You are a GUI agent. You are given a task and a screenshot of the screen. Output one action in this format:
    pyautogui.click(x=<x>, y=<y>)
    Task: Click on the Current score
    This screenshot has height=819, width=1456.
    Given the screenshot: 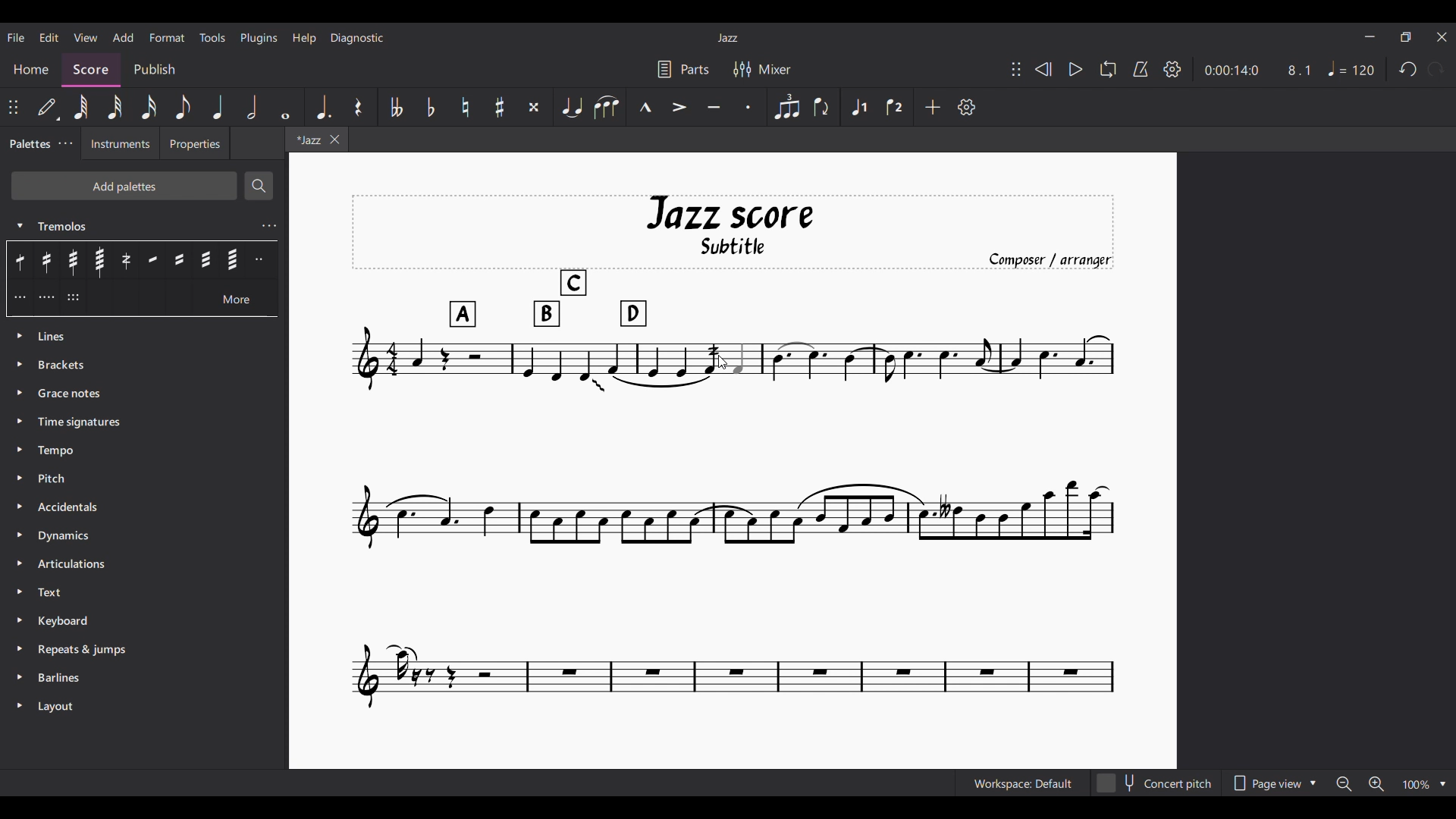 What is the action you would take?
    pyautogui.click(x=922, y=356)
    